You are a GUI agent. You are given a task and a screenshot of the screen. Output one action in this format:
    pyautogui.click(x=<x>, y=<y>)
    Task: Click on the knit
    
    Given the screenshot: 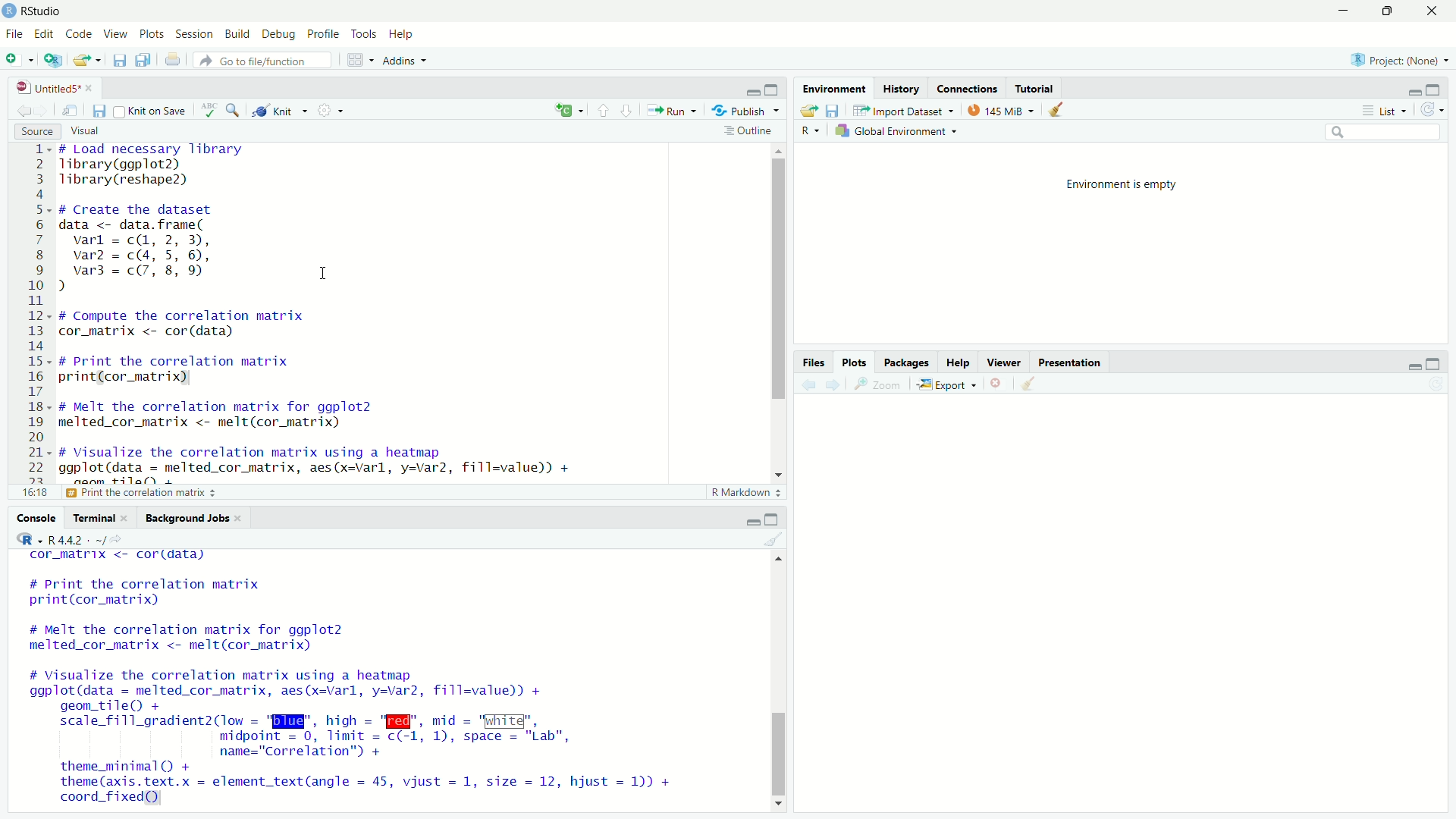 What is the action you would take?
    pyautogui.click(x=275, y=111)
    